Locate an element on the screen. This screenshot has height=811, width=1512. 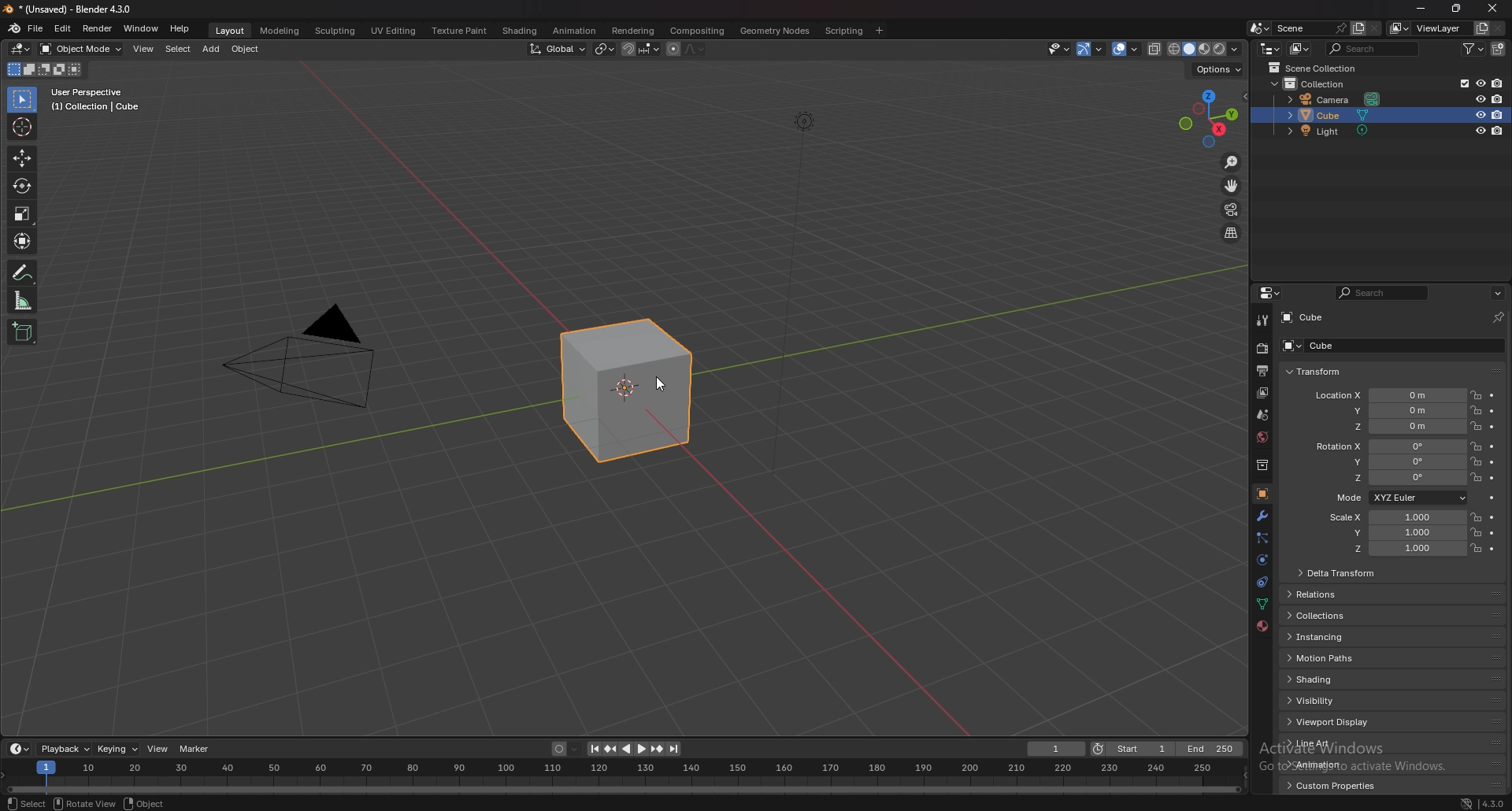
keying is located at coordinates (117, 749).